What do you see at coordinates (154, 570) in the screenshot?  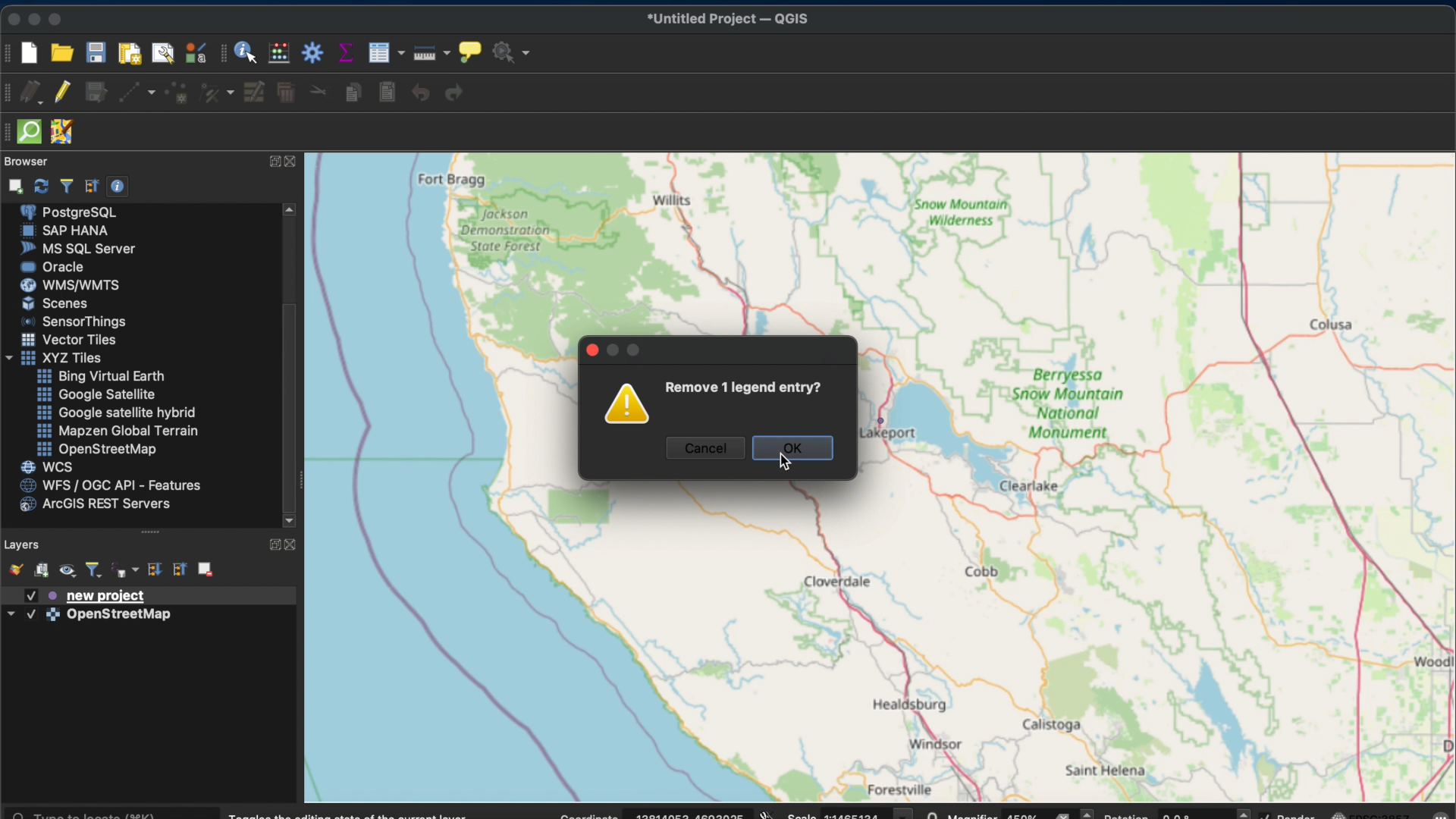 I see `expand all` at bounding box center [154, 570].